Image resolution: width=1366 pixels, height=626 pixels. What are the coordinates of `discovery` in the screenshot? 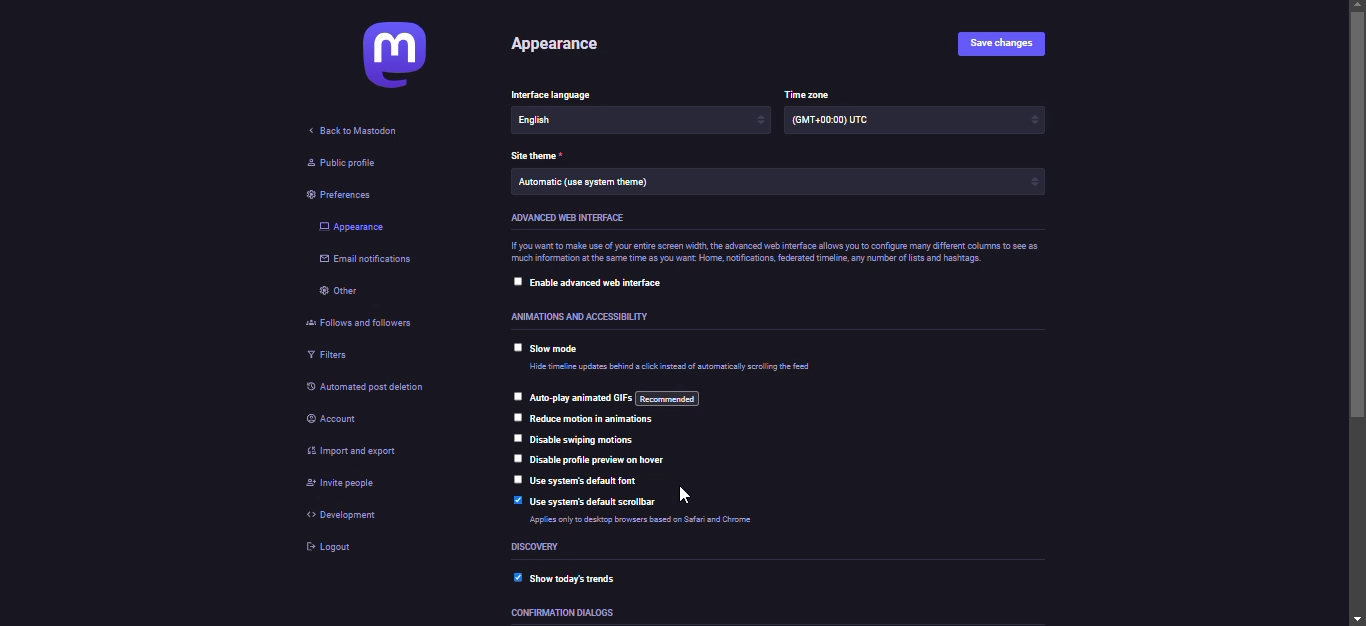 It's located at (536, 548).